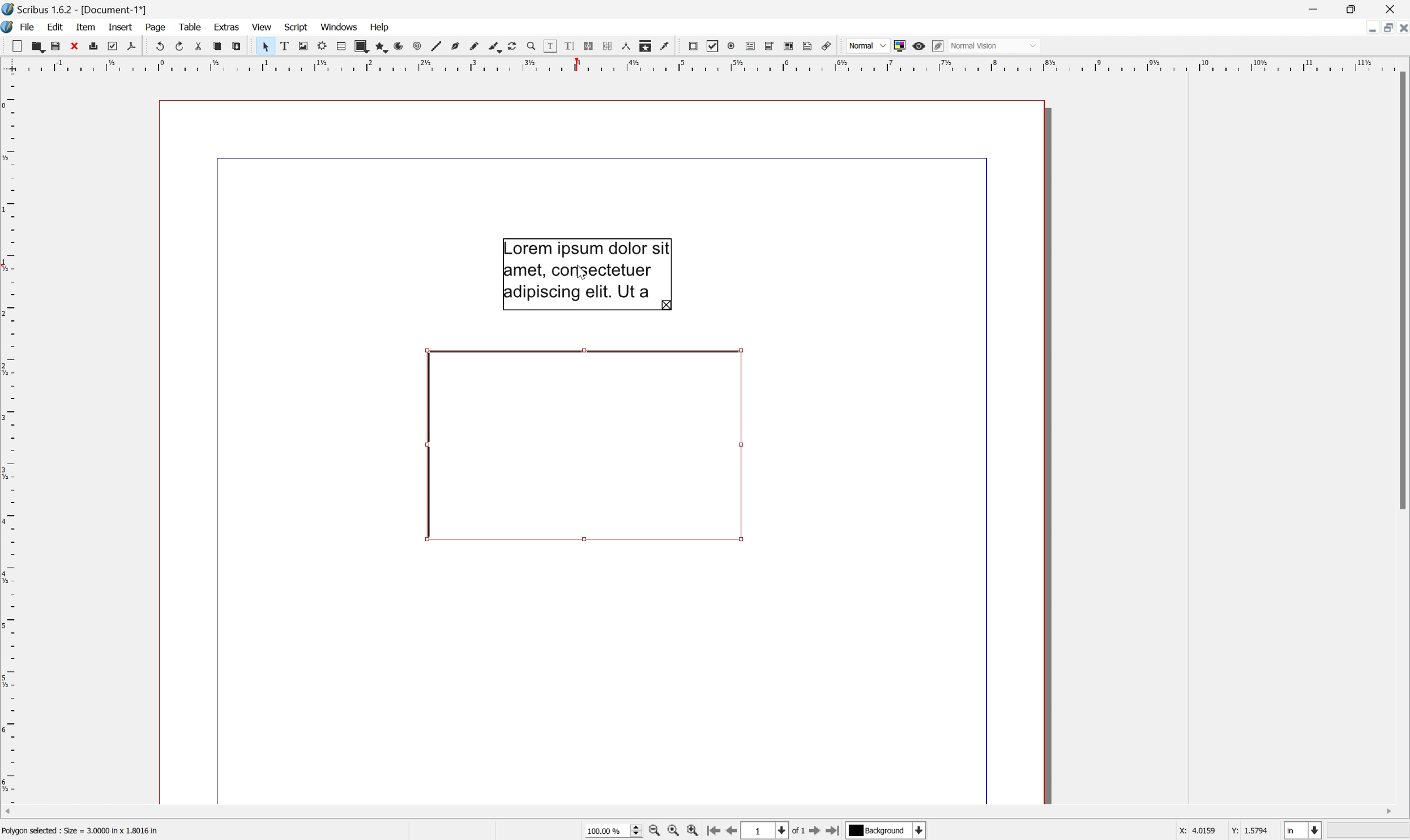 Image resolution: width=1410 pixels, height=840 pixels. What do you see at coordinates (815, 830) in the screenshot?
I see `Go to the next page` at bounding box center [815, 830].